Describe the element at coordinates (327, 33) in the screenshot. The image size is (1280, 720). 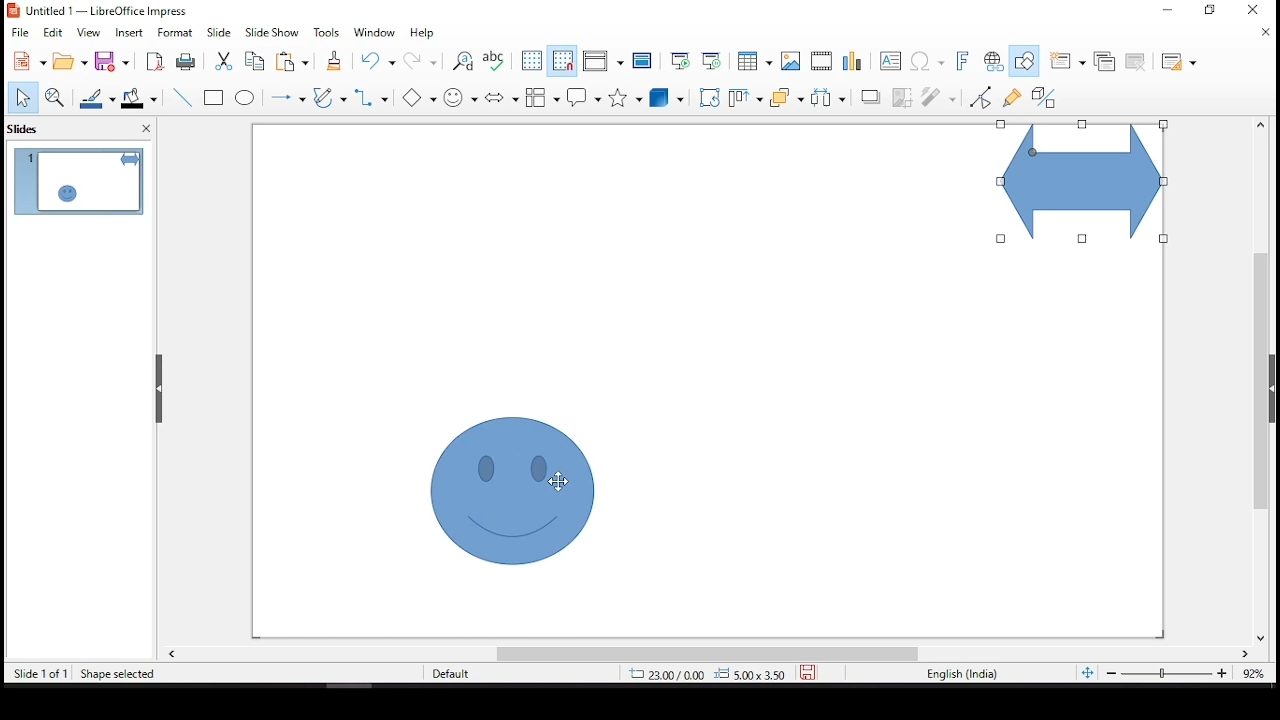
I see `tools` at that location.